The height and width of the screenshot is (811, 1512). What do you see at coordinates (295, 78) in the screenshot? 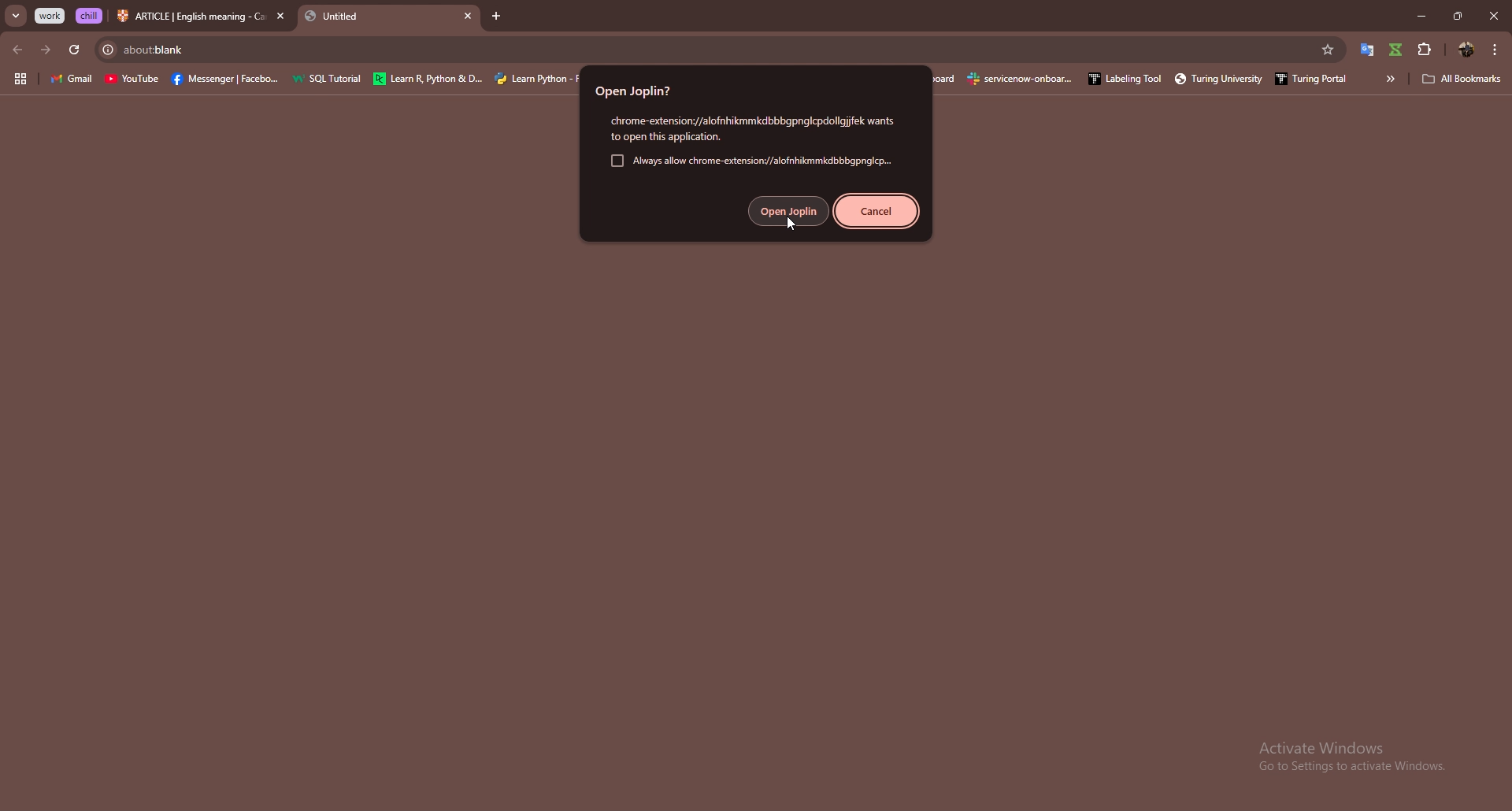
I see `bookmarks bar` at bounding box center [295, 78].